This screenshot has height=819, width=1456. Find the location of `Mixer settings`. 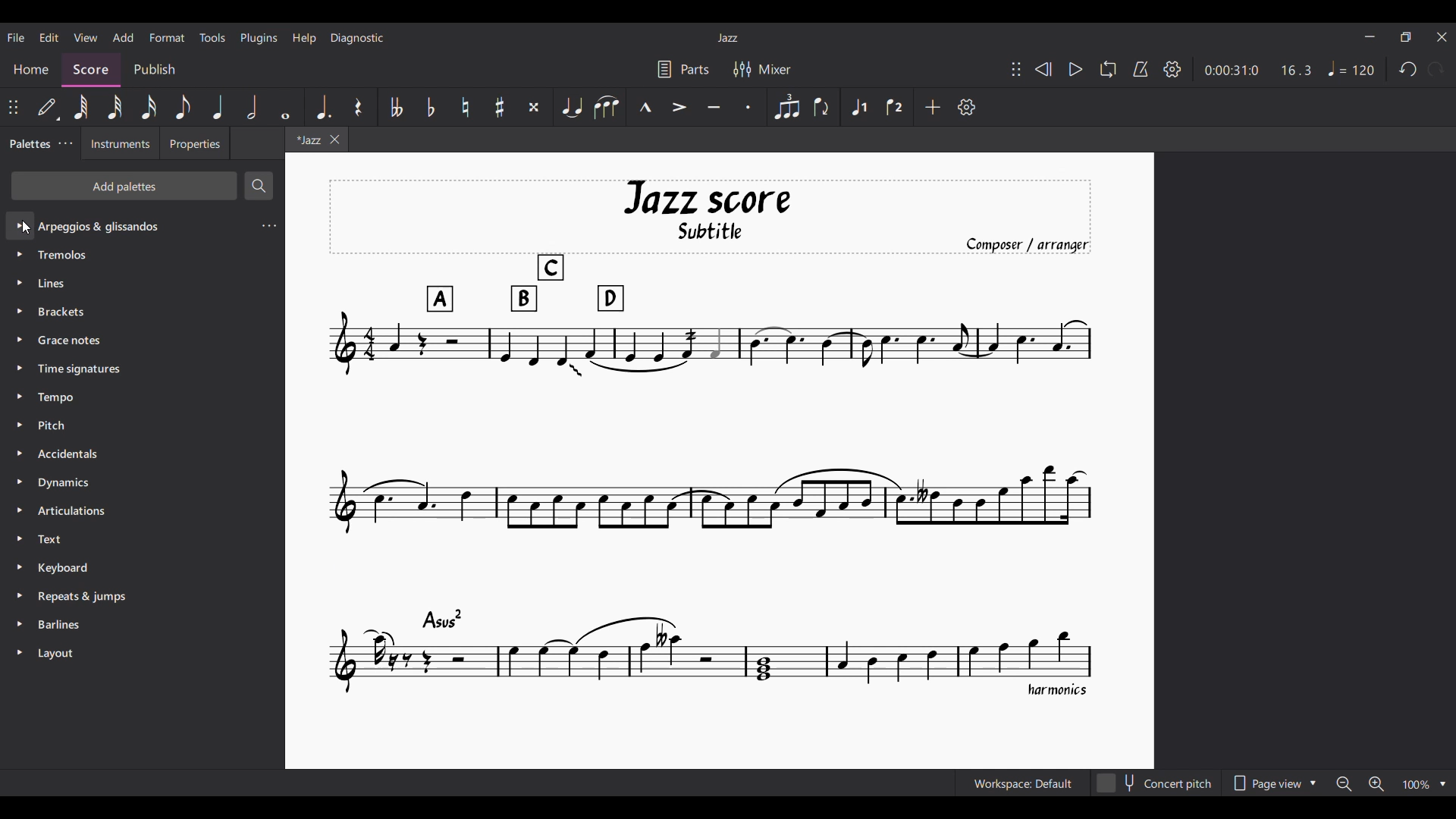

Mixer settings is located at coordinates (762, 69).